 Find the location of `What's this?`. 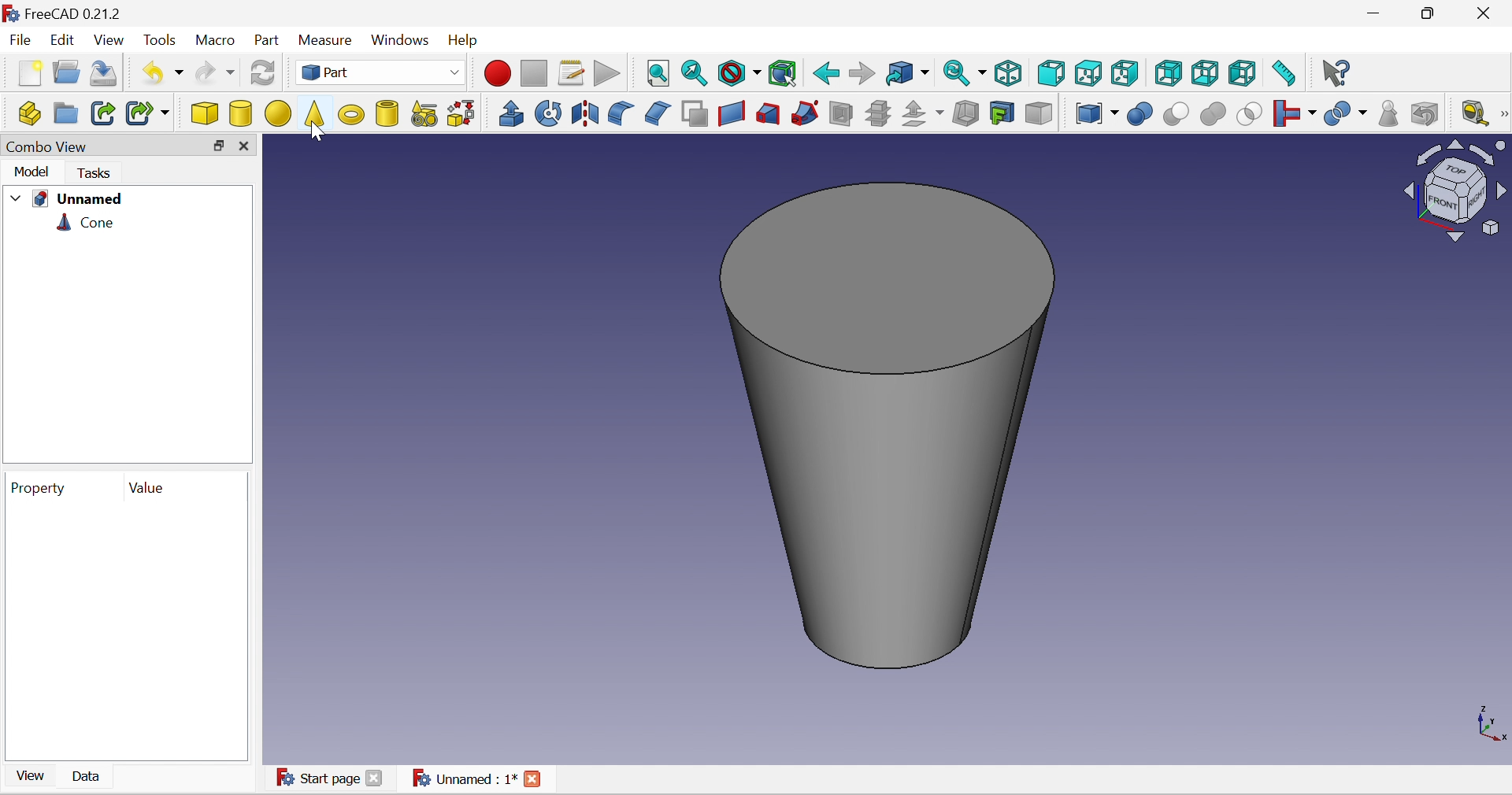

What's this? is located at coordinates (1340, 73).